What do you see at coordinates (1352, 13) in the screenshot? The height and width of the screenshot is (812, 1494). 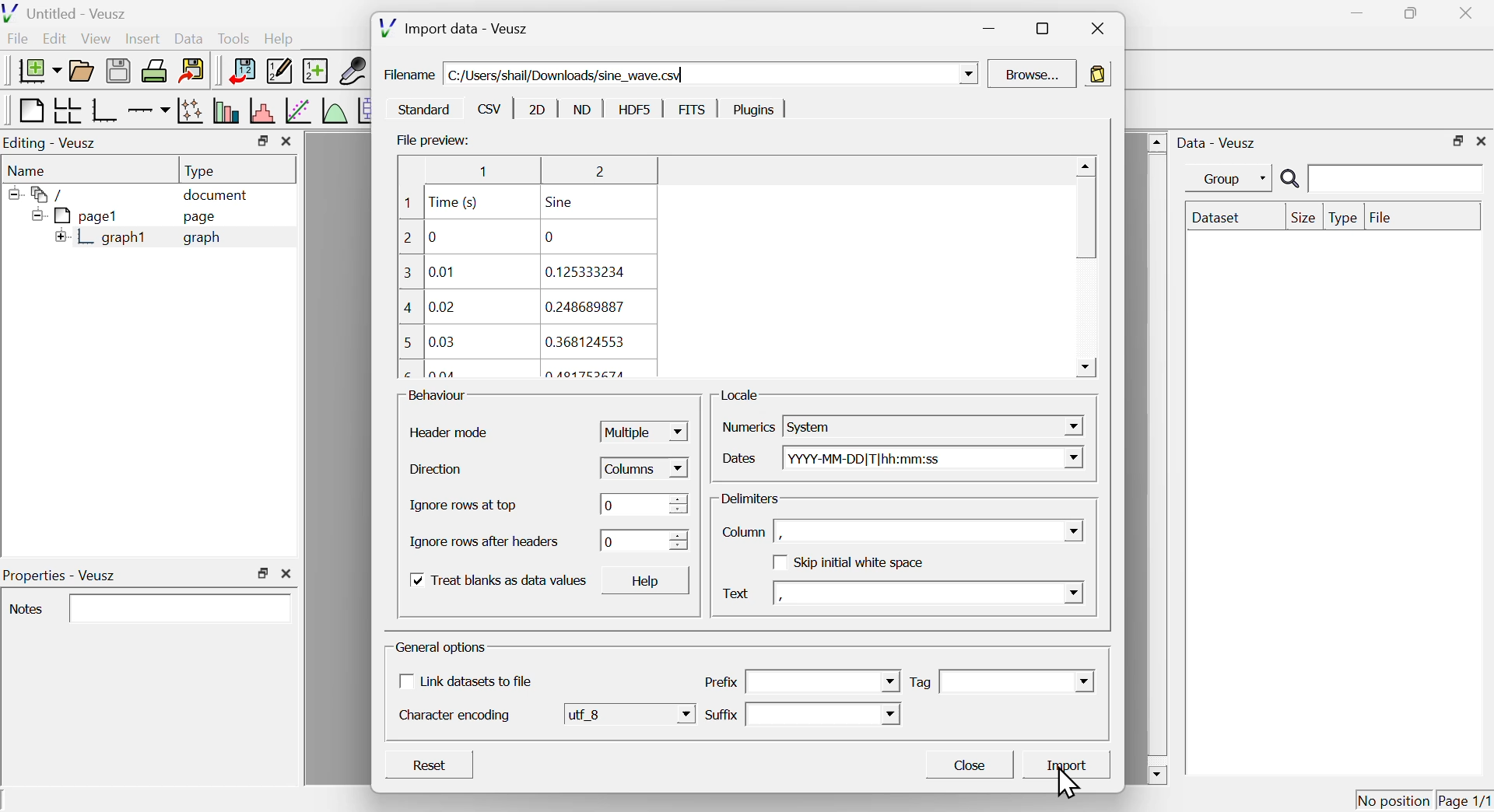 I see `minimize` at bounding box center [1352, 13].